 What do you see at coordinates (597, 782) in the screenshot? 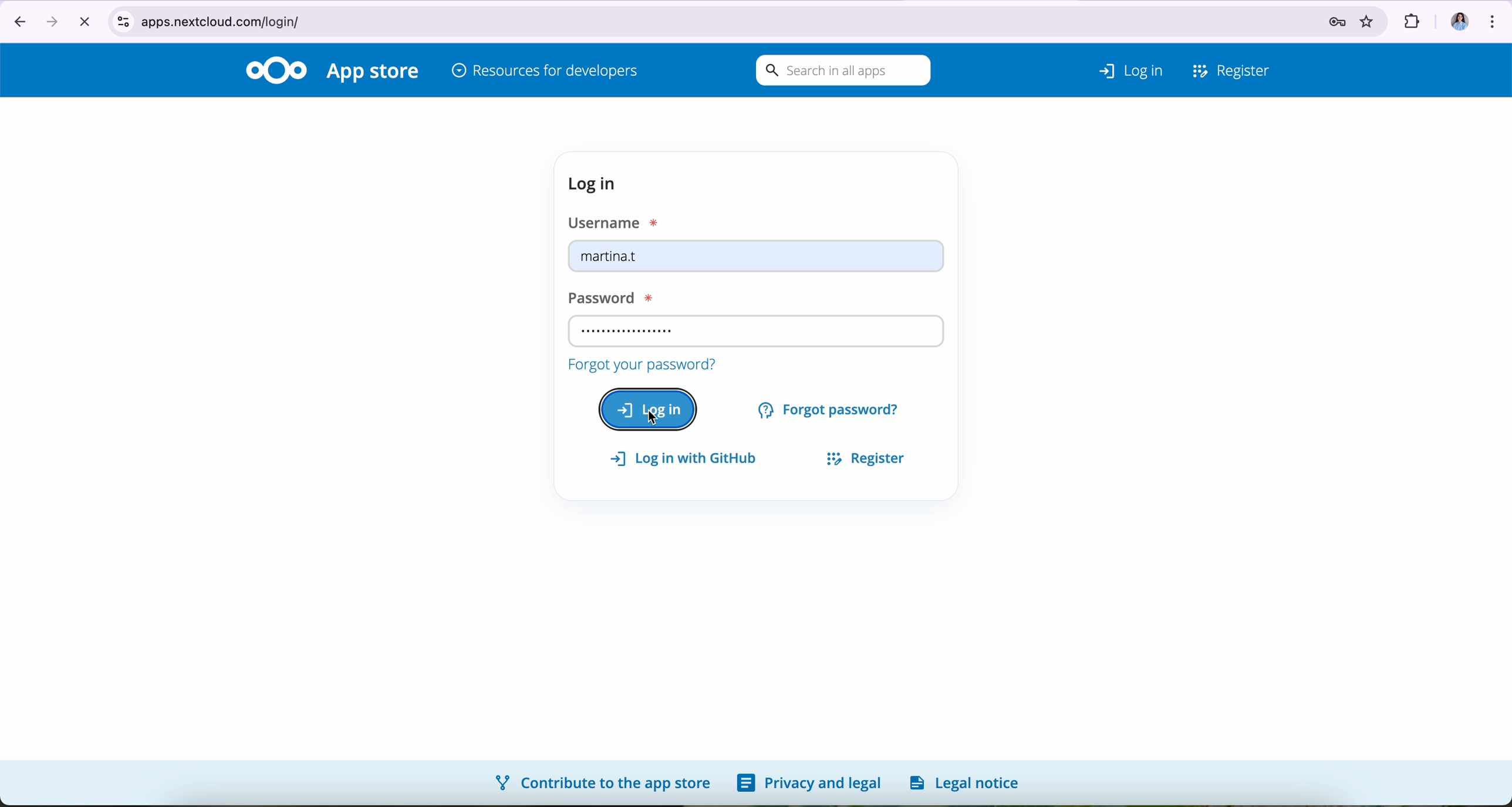
I see `contribute to the app store` at bounding box center [597, 782].